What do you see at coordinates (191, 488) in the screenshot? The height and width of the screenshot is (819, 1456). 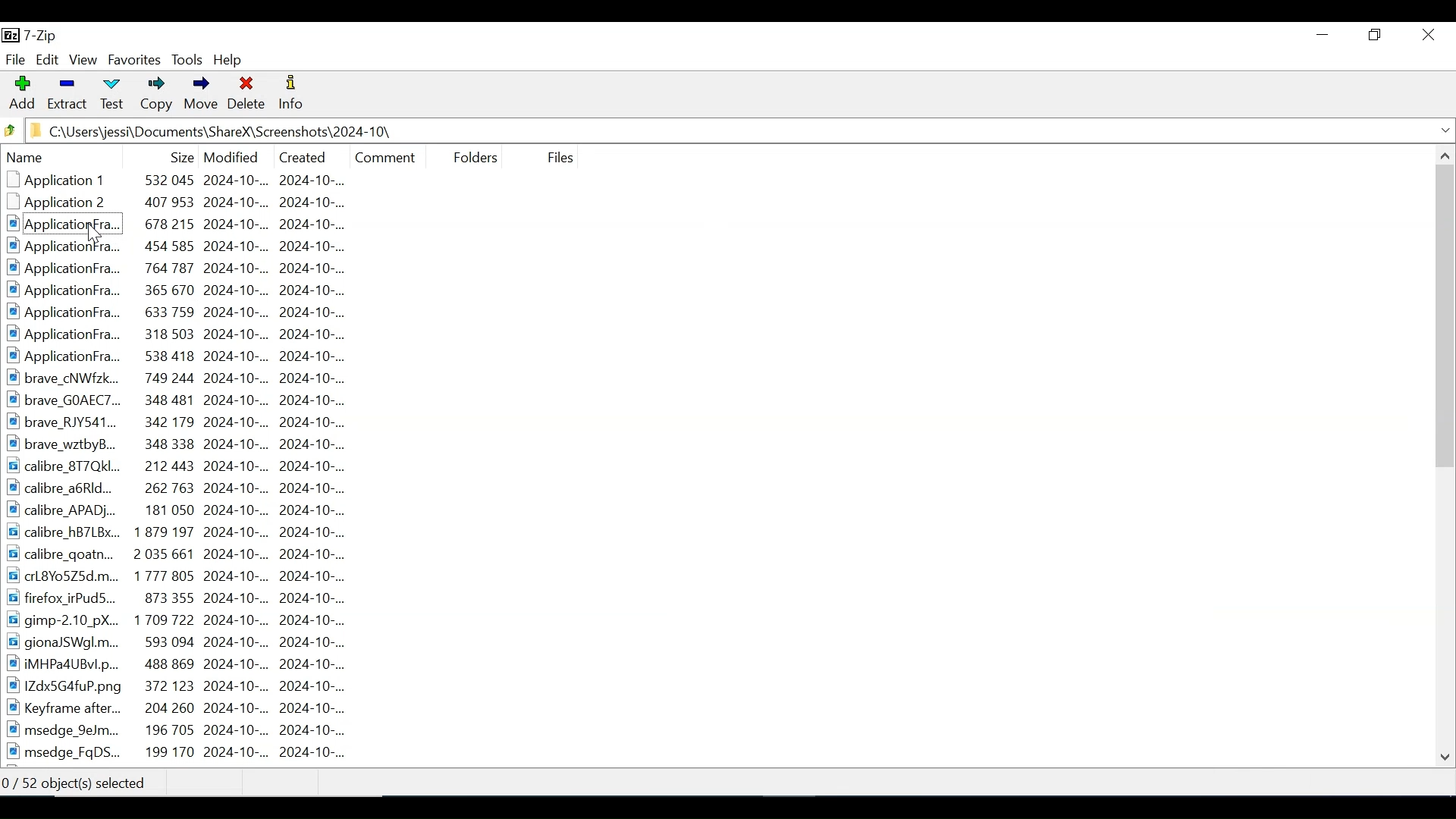 I see ` calibre_a6RId... 262 763 2024-10-.. 2024-10-...` at bounding box center [191, 488].